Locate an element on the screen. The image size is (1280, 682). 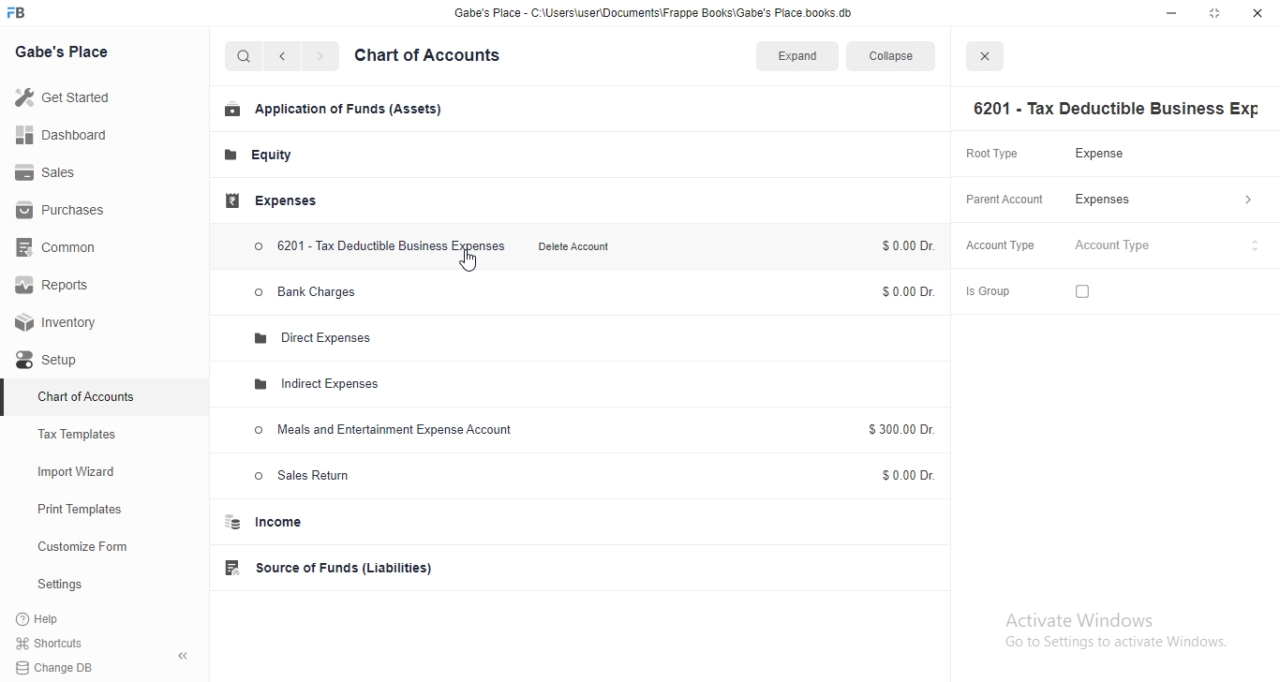
Is Group is located at coordinates (1041, 290).